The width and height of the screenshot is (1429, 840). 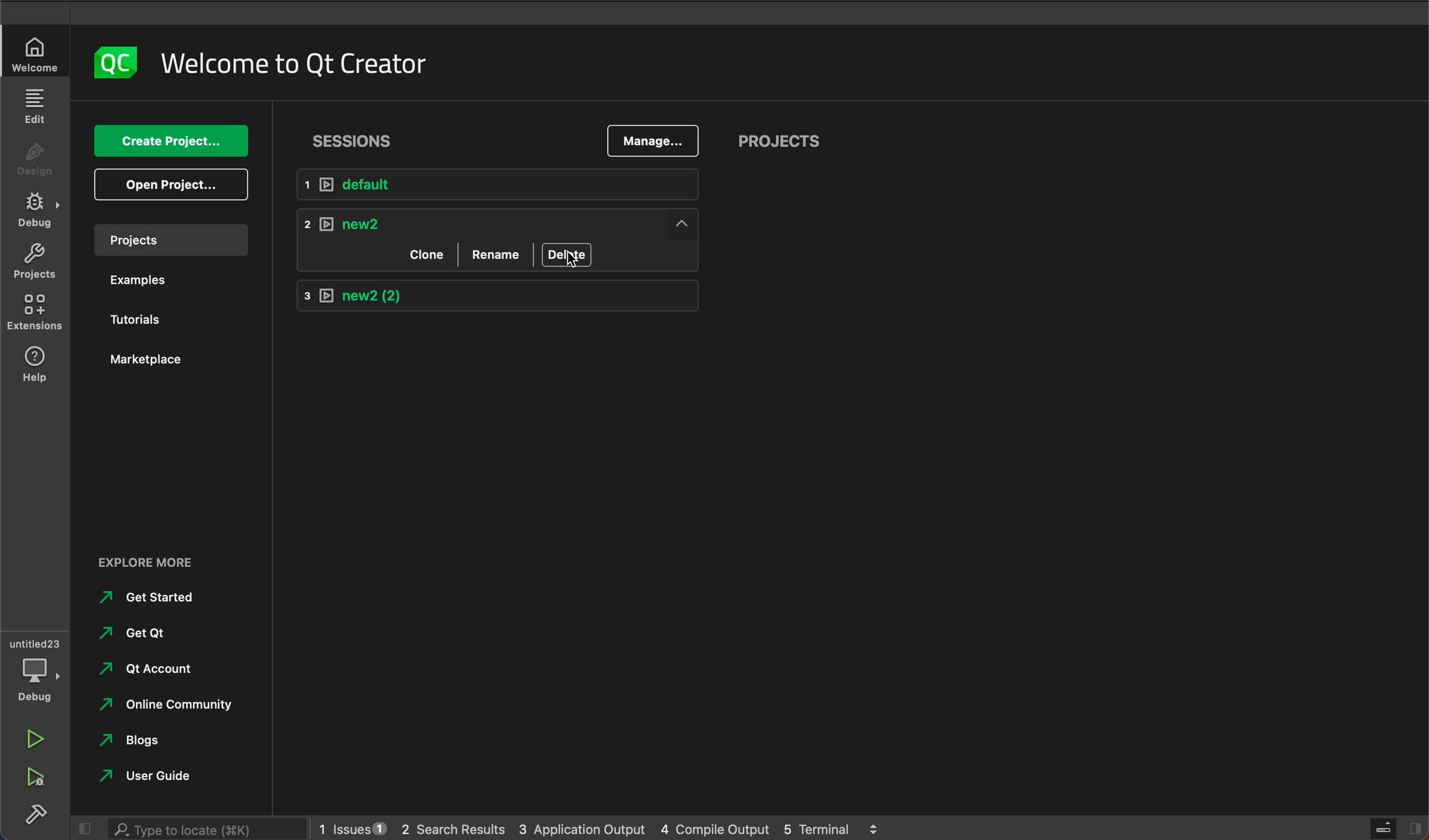 What do you see at coordinates (429, 252) in the screenshot?
I see `clone` at bounding box center [429, 252].